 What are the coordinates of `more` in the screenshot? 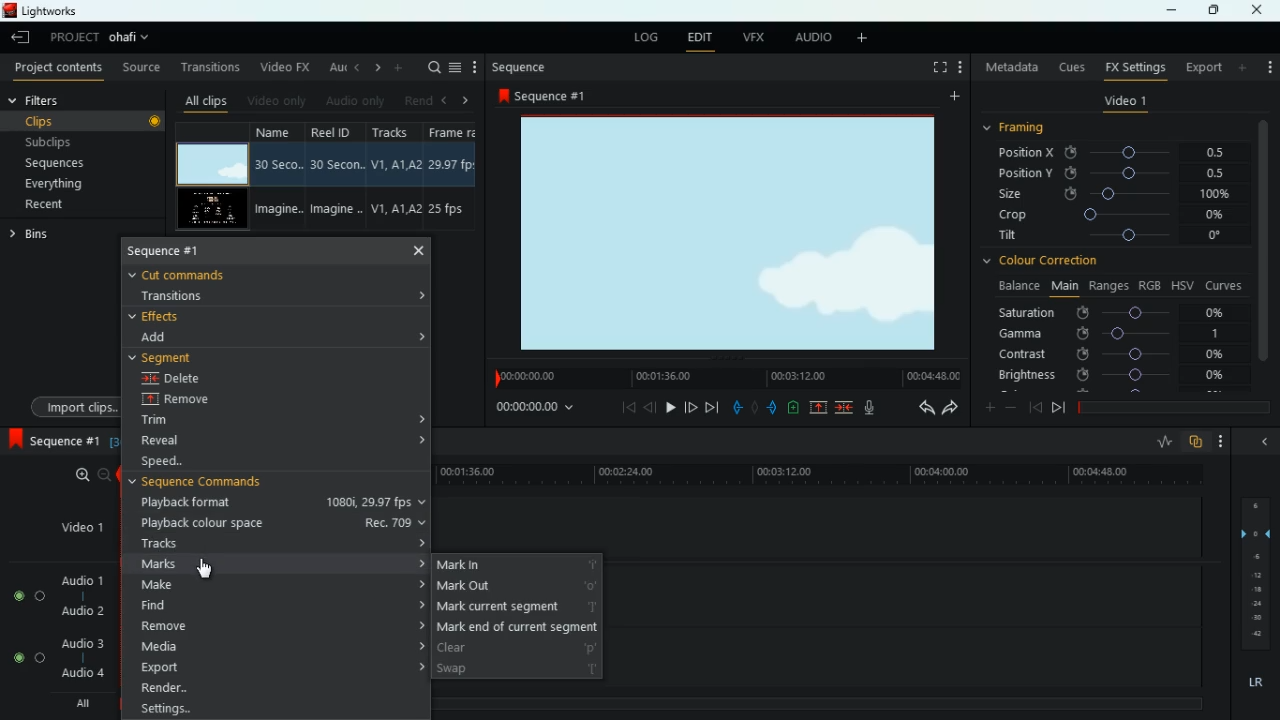 It's located at (990, 406).